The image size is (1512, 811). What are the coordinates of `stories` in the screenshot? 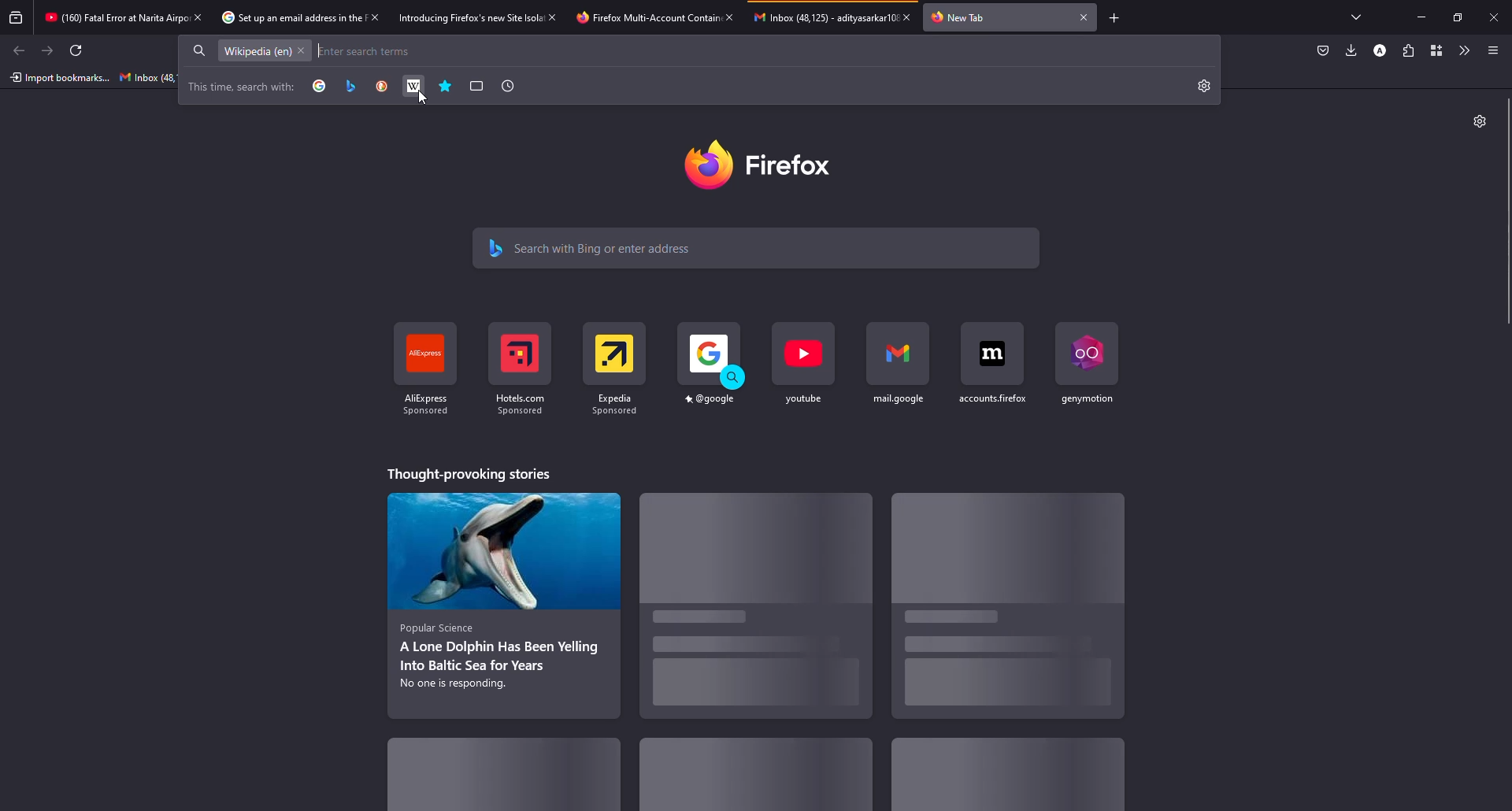 It's located at (758, 612).